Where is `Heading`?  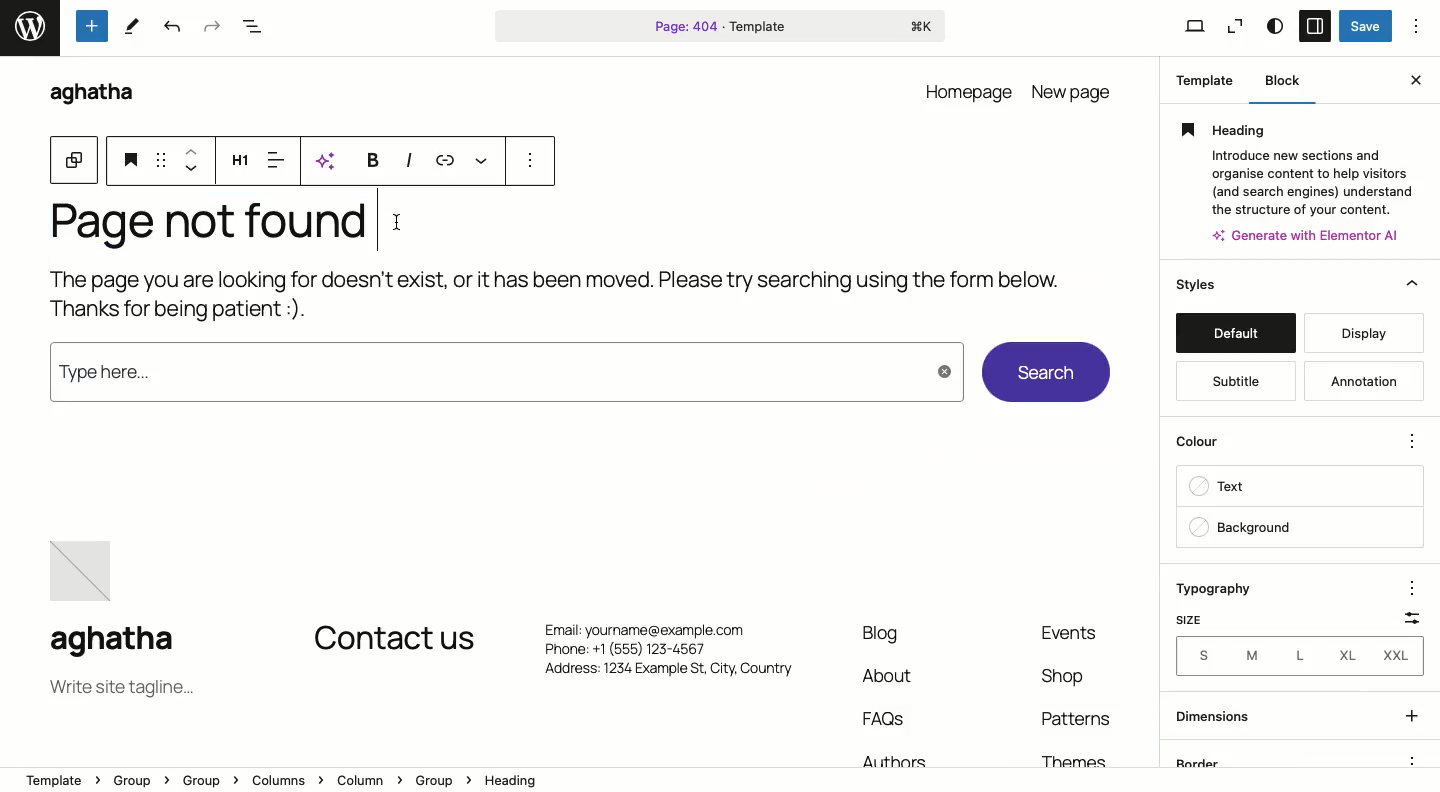 Heading is located at coordinates (131, 158).